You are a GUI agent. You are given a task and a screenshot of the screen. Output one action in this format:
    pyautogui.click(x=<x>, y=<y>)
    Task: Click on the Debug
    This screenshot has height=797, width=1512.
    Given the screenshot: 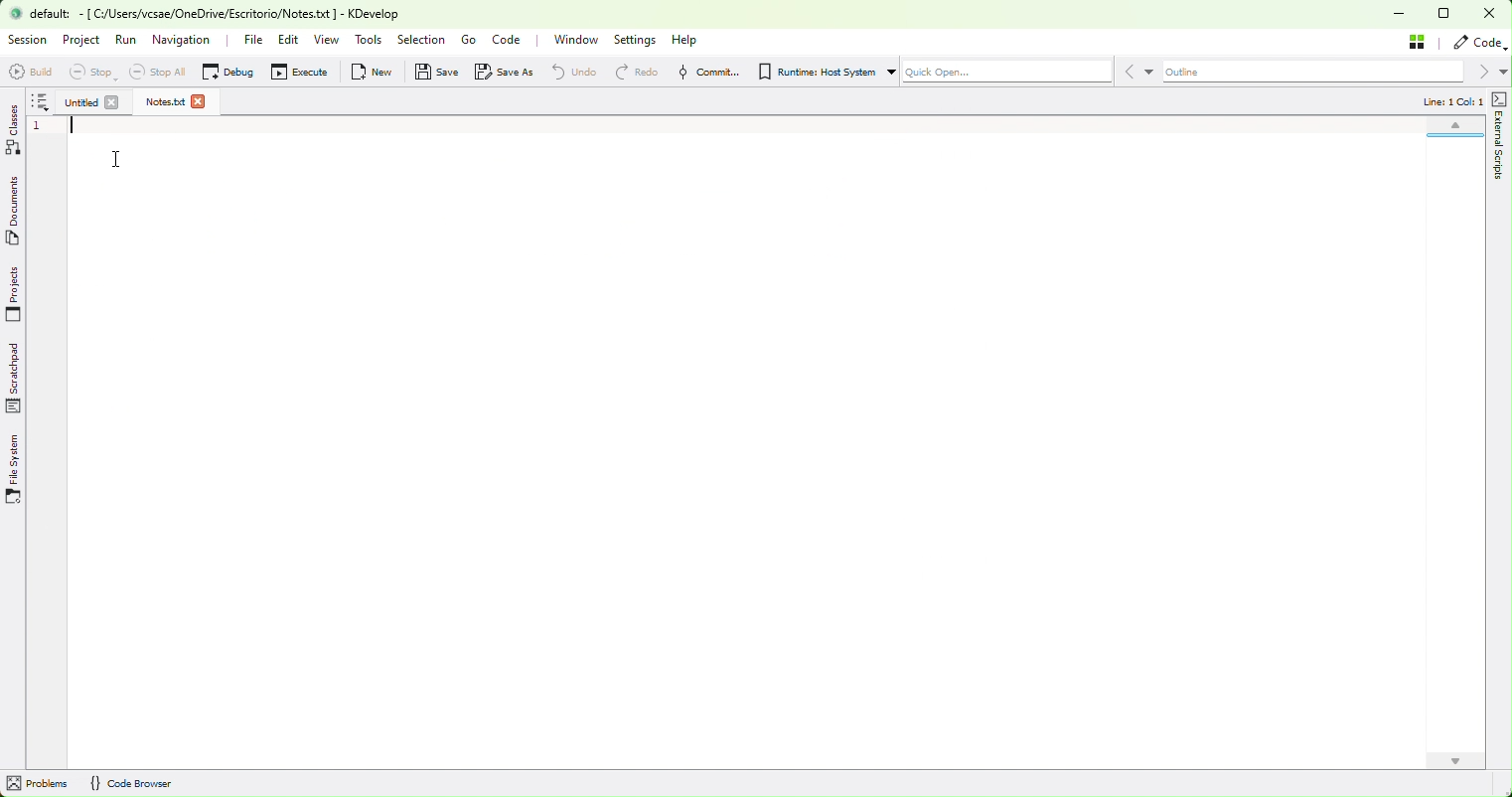 What is the action you would take?
    pyautogui.click(x=233, y=74)
    